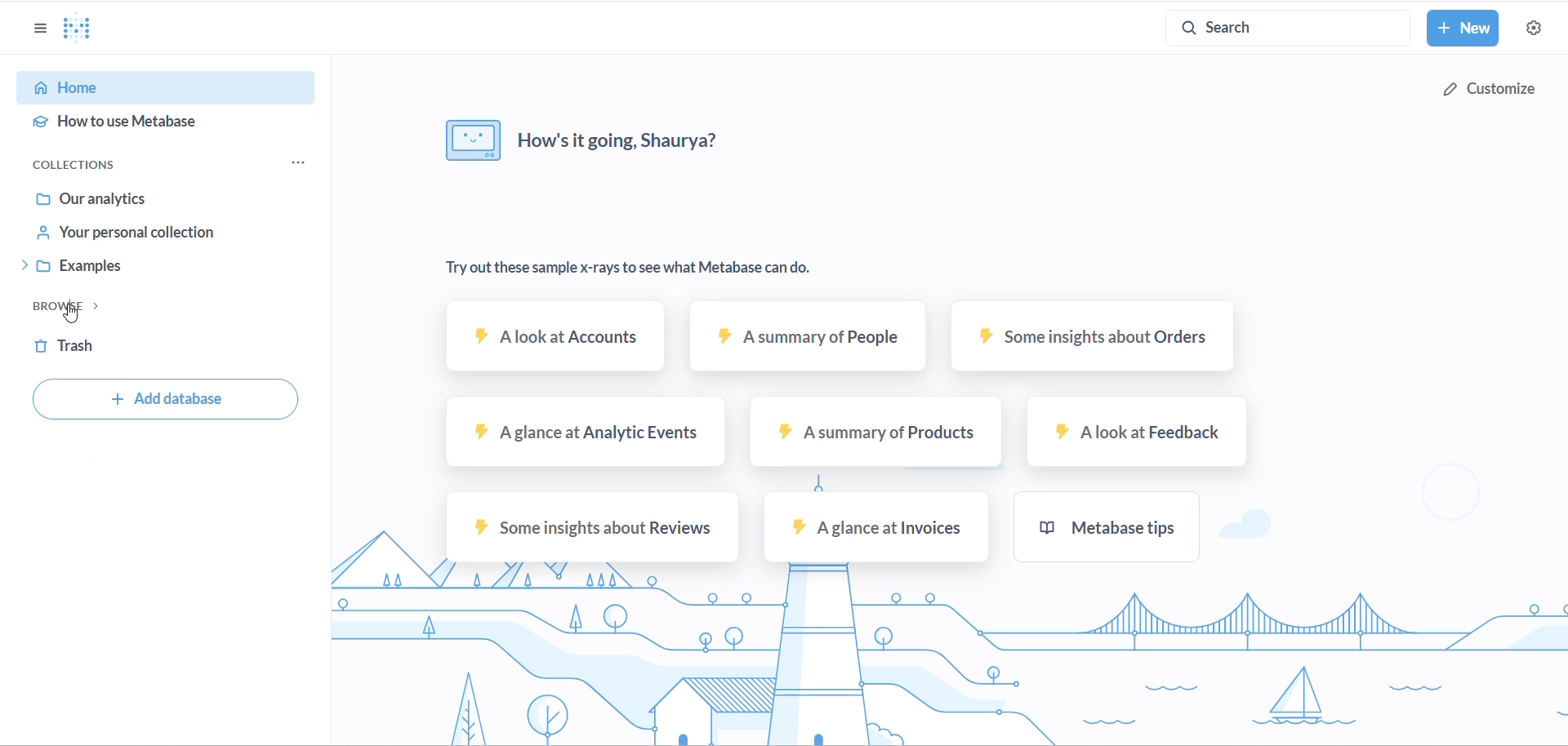 This screenshot has height=746, width=1568. I want to click on customize button, so click(1501, 89).